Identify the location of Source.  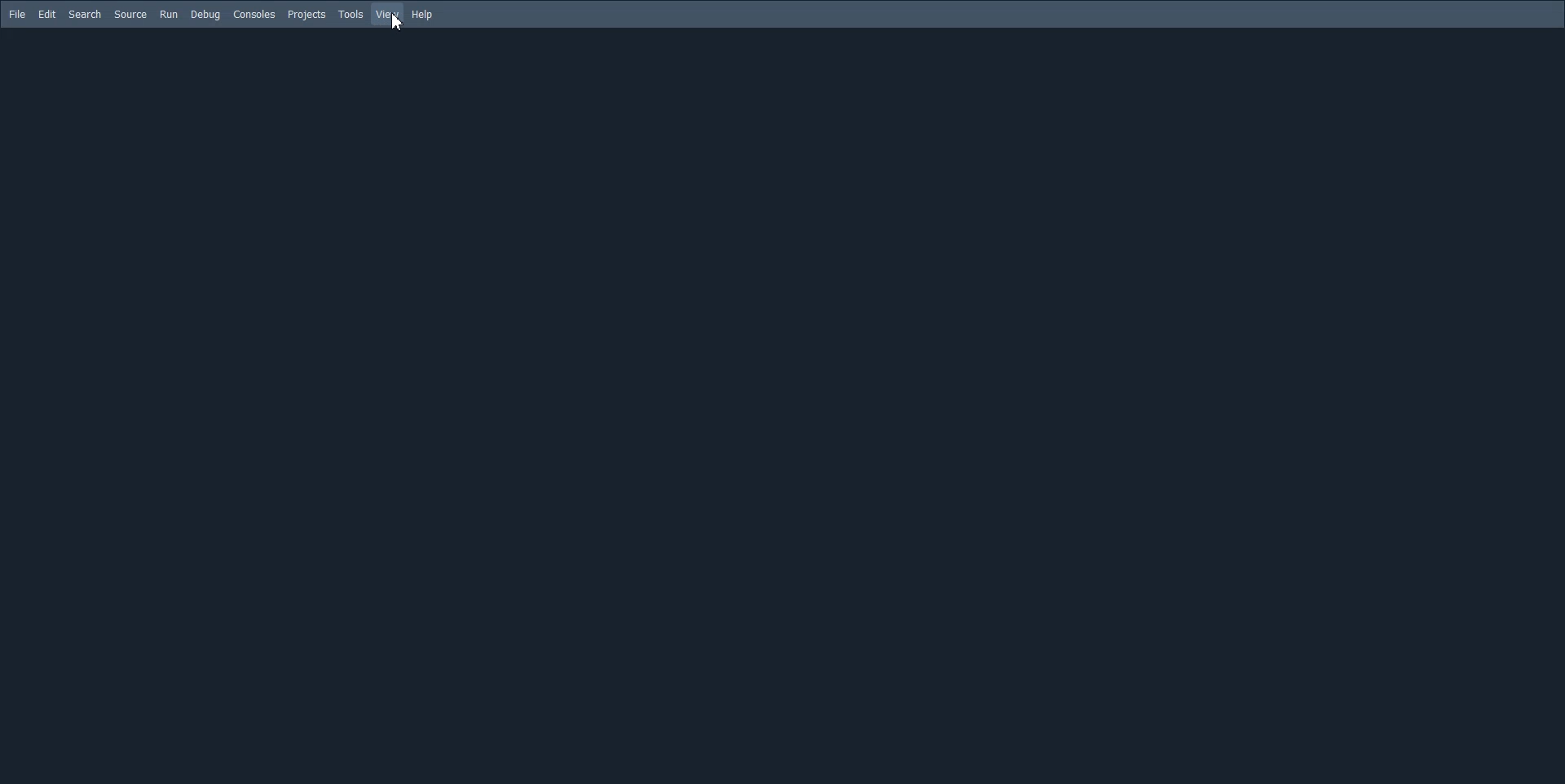
(130, 14).